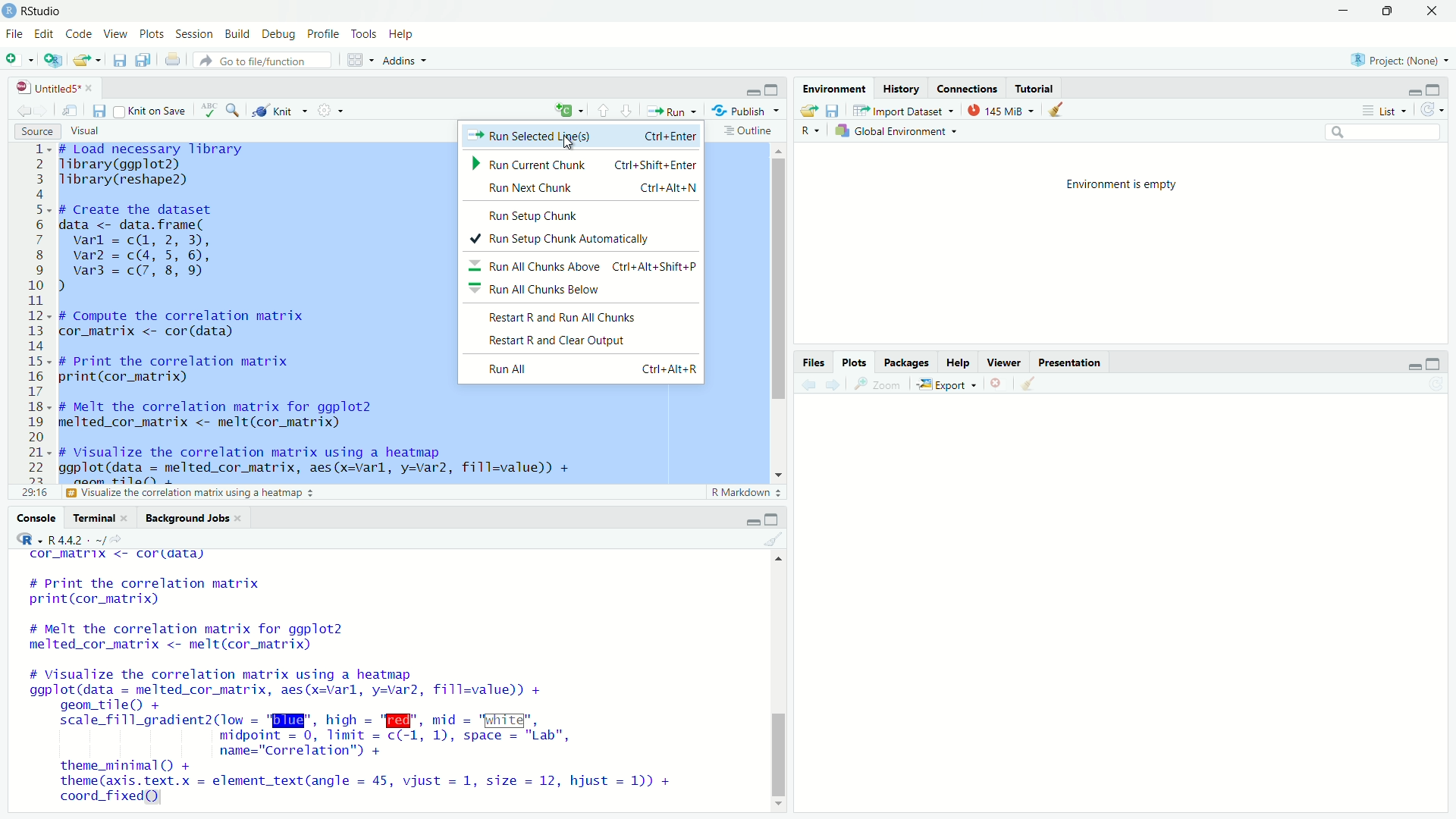 This screenshot has width=1456, height=819. What do you see at coordinates (152, 111) in the screenshot?
I see `knit on save` at bounding box center [152, 111].